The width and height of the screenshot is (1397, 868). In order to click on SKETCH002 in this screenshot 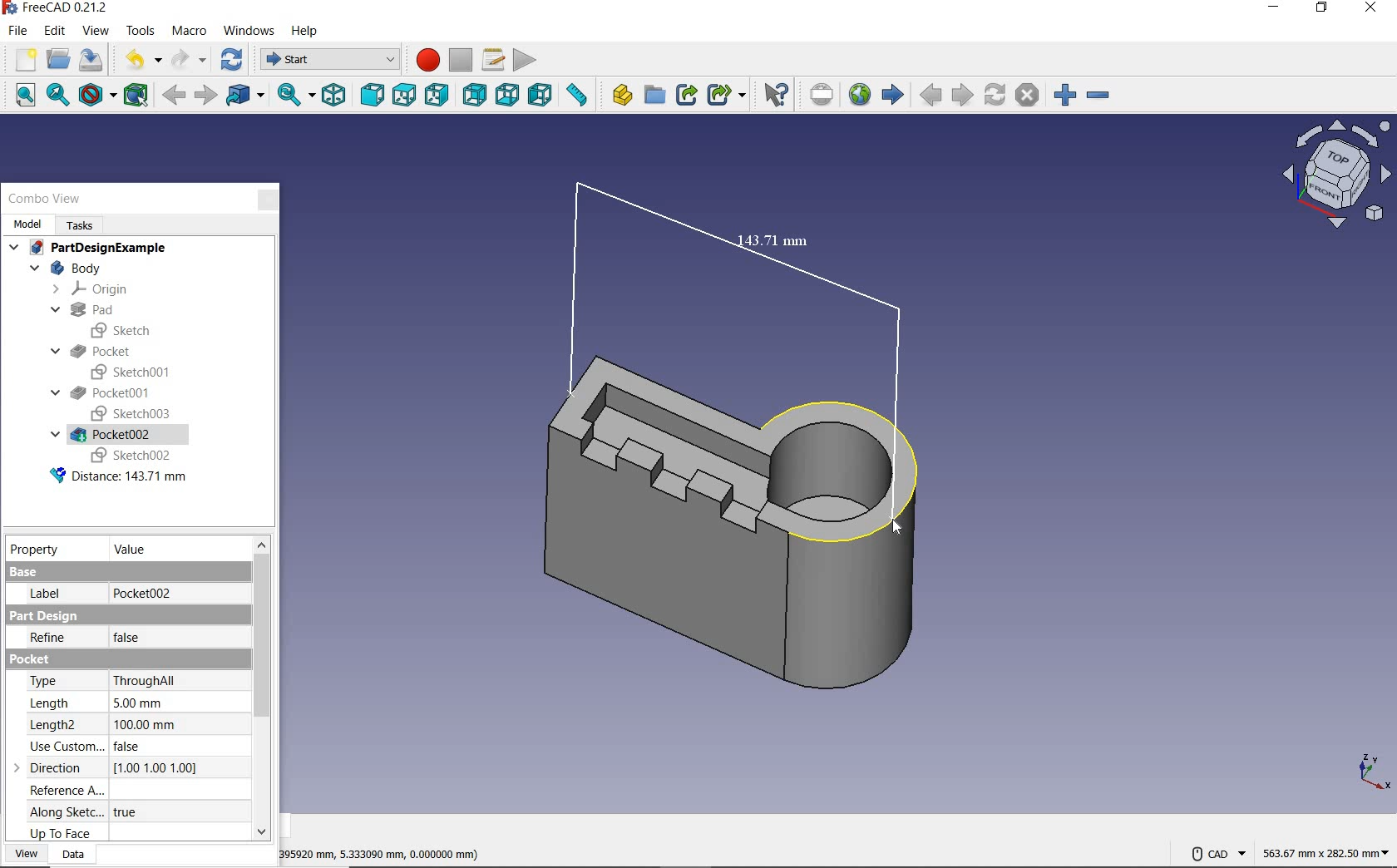, I will do `click(131, 456)`.